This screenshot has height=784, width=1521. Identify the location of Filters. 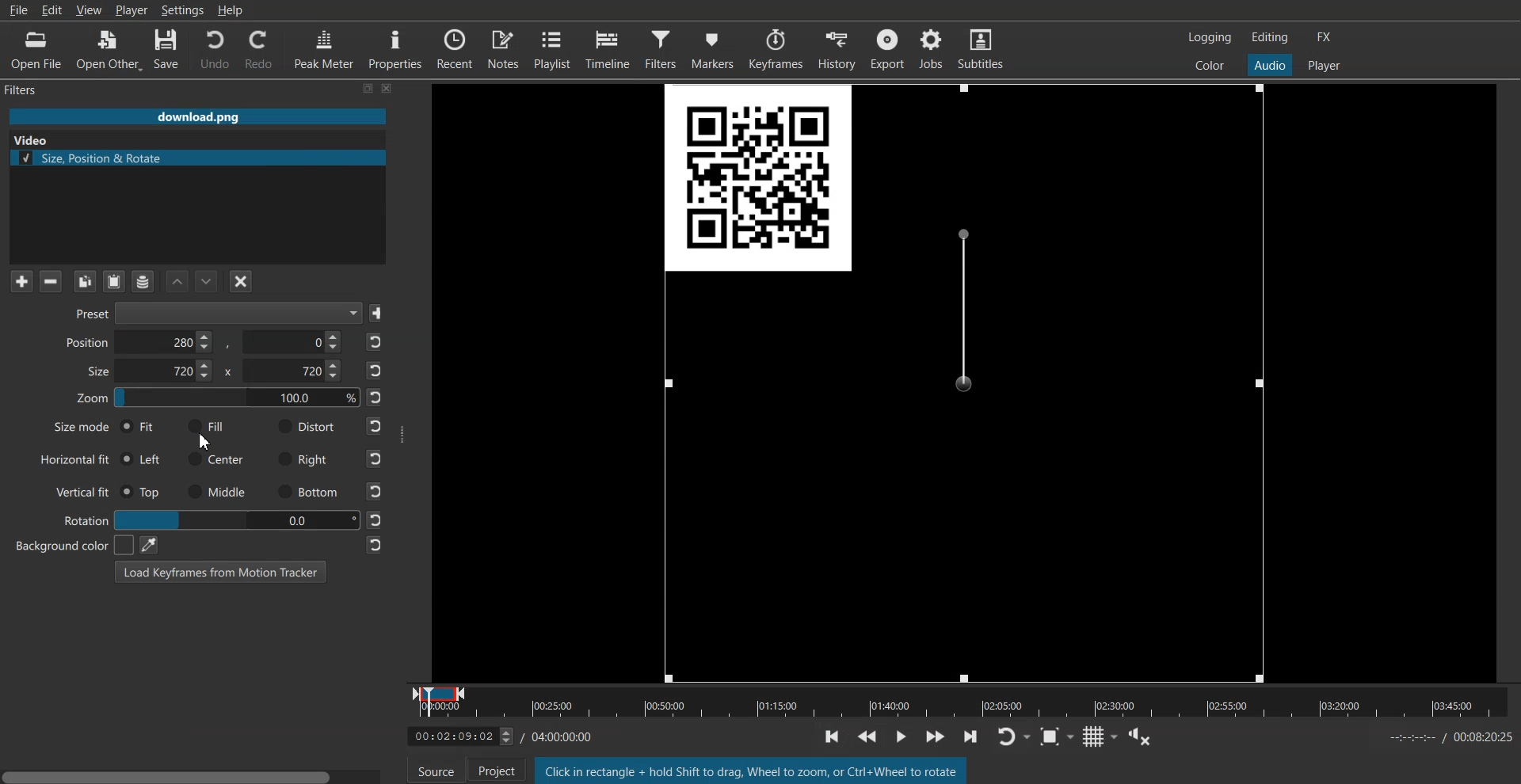
(663, 48).